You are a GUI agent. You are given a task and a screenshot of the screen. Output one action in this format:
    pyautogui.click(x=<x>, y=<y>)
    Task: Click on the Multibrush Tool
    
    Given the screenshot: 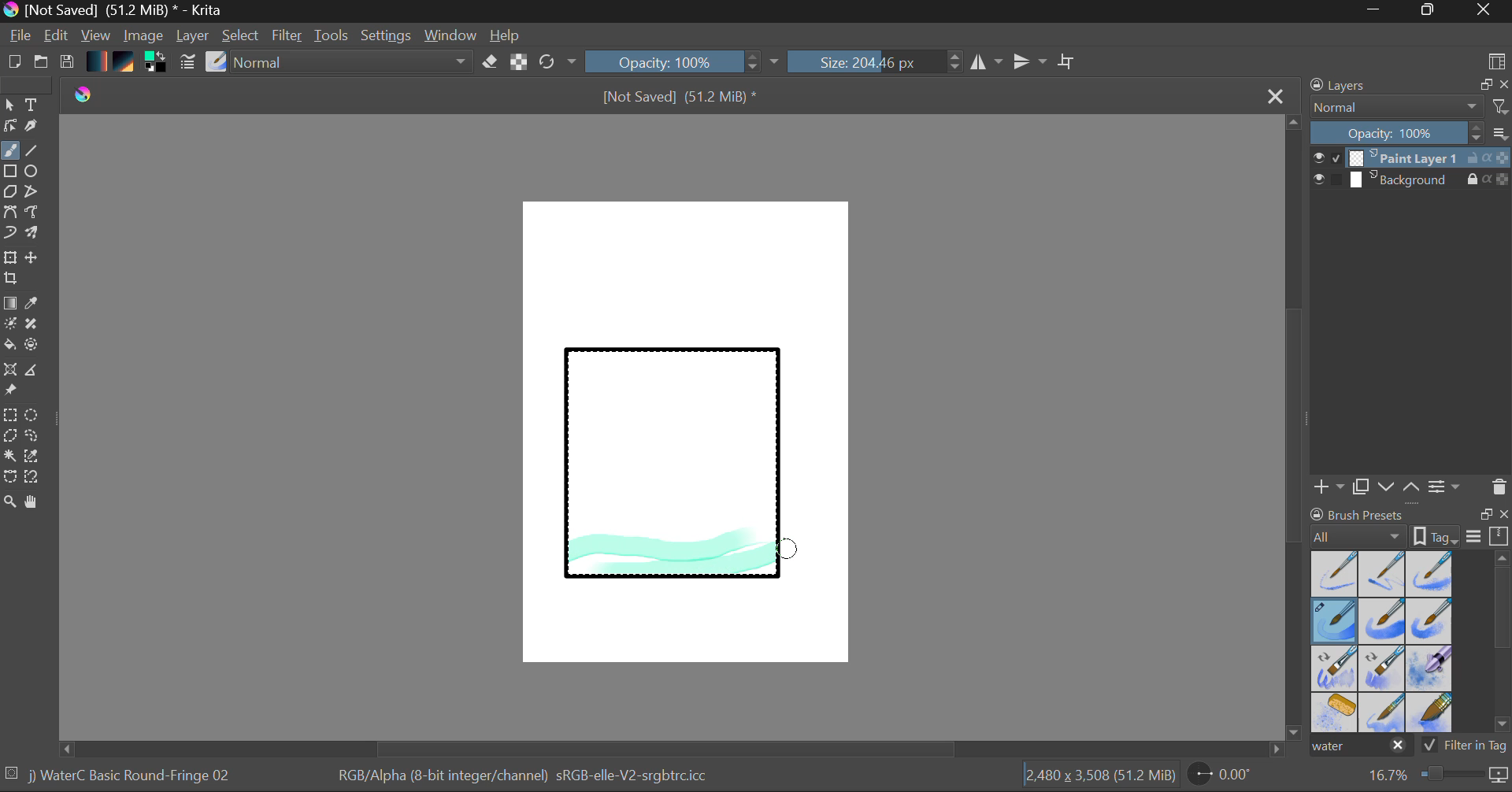 What is the action you would take?
    pyautogui.click(x=33, y=235)
    